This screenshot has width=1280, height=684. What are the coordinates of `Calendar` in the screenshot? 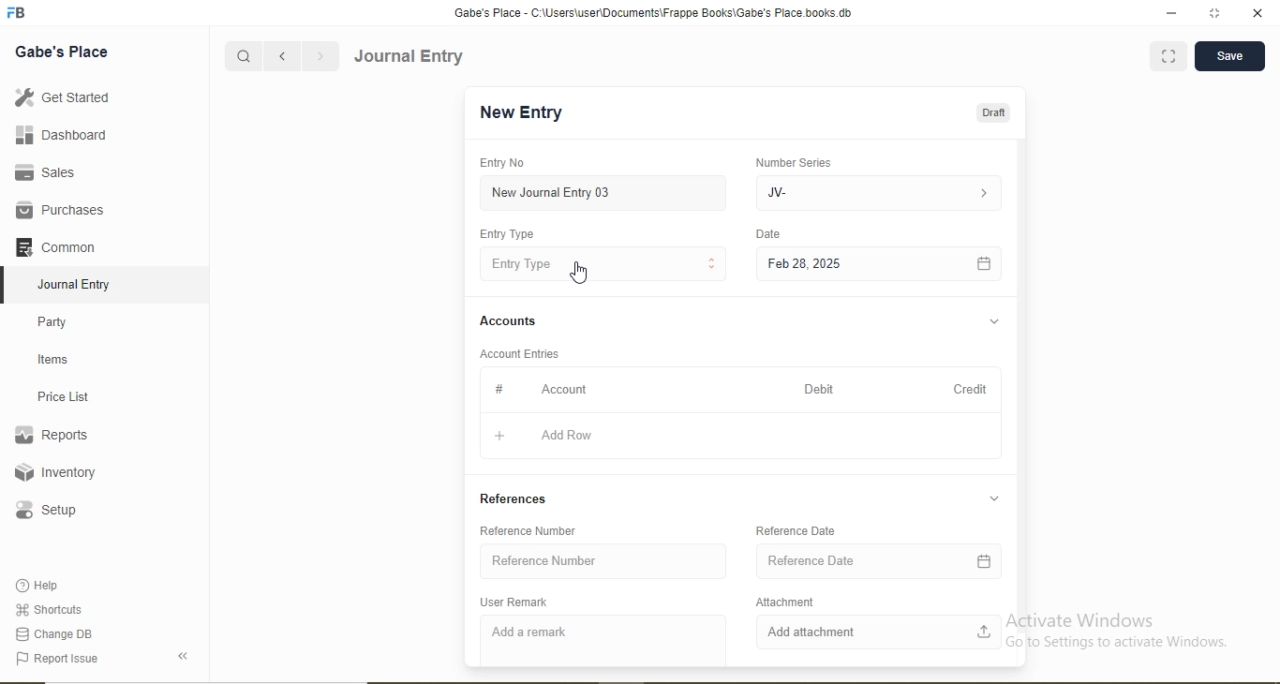 It's located at (984, 265).